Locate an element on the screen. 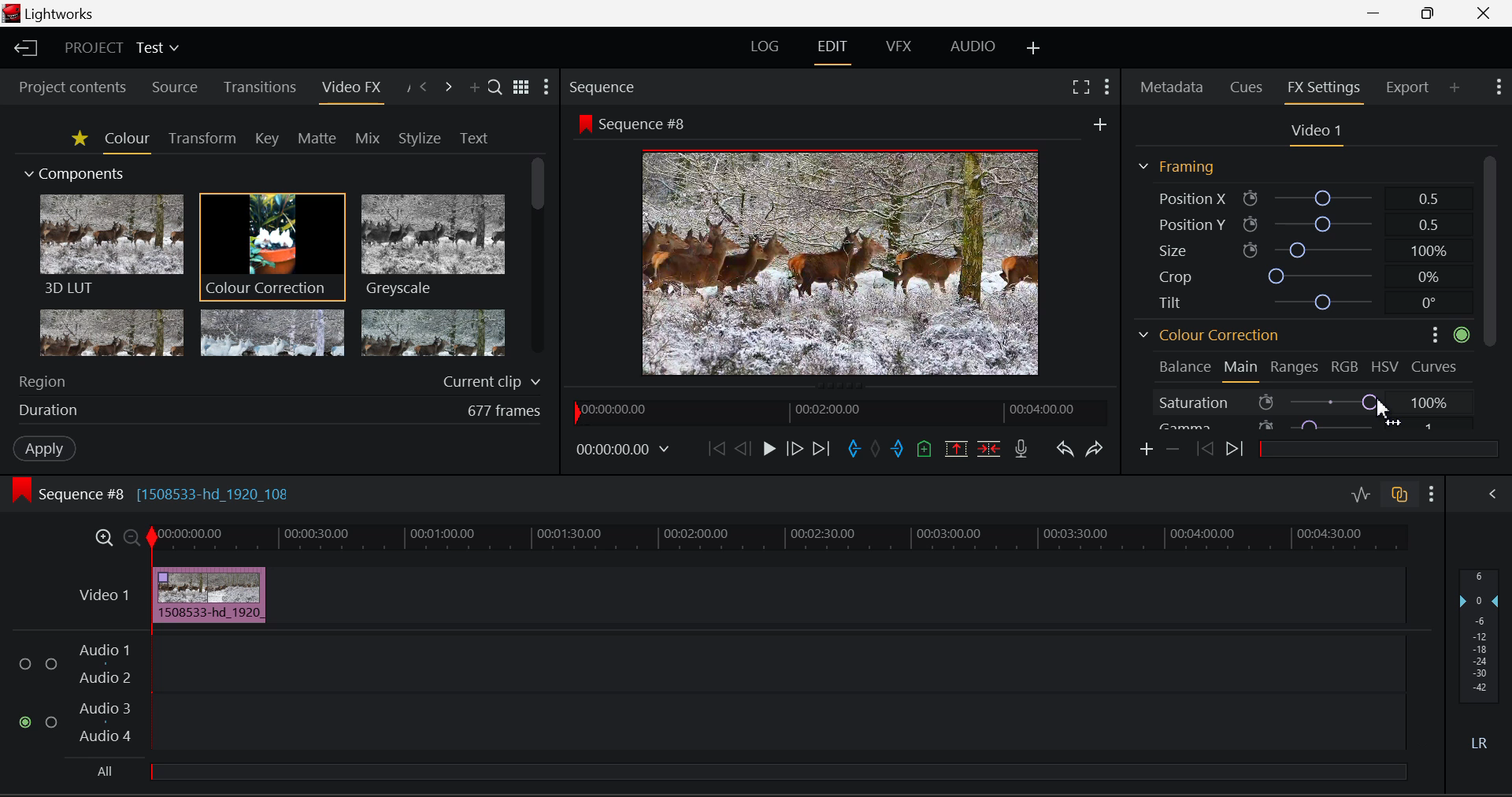 This screenshot has height=797, width=1512. Go Forward is located at coordinates (794, 451).